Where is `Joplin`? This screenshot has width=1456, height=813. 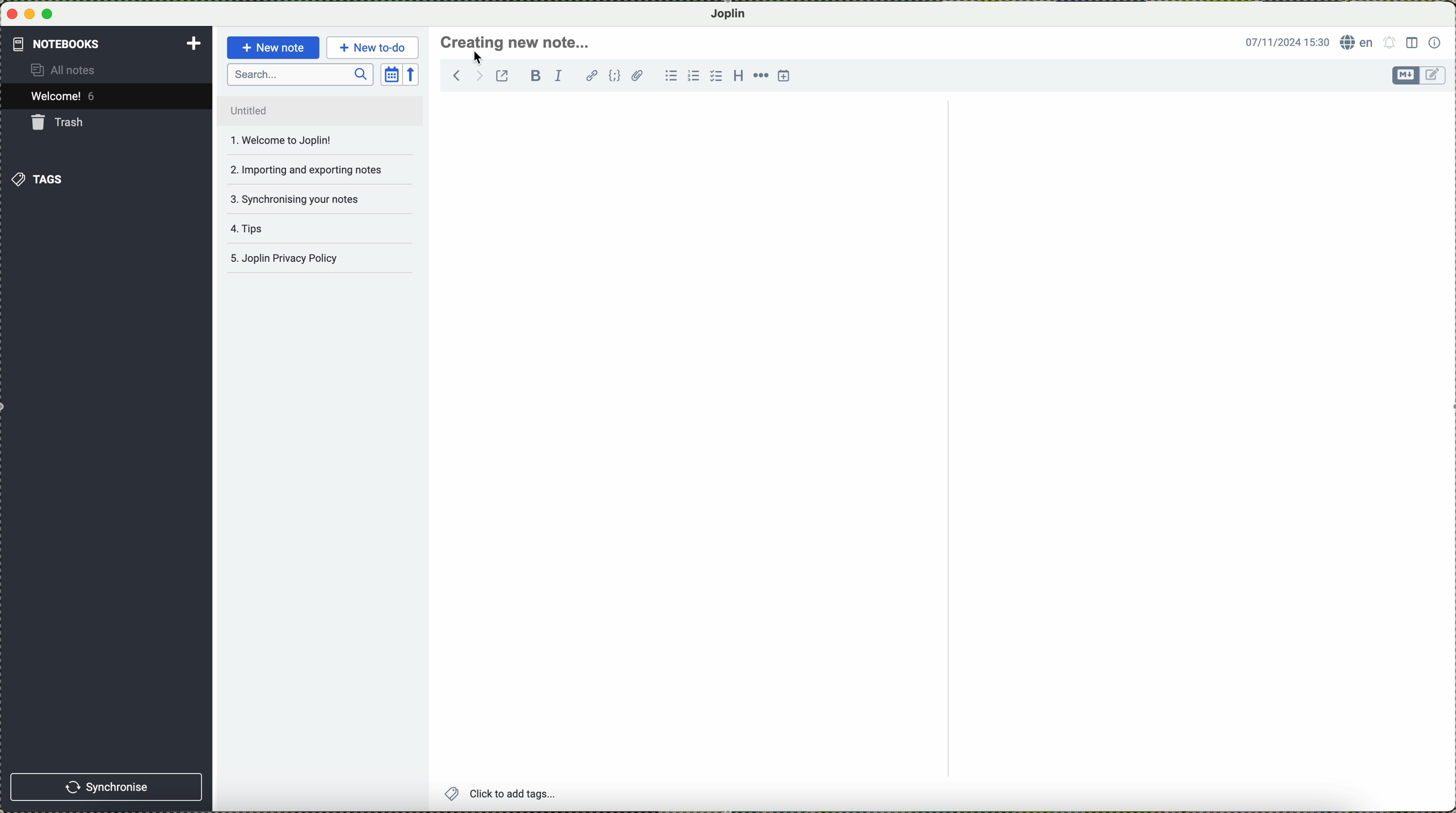 Joplin is located at coordinates (734, 13).